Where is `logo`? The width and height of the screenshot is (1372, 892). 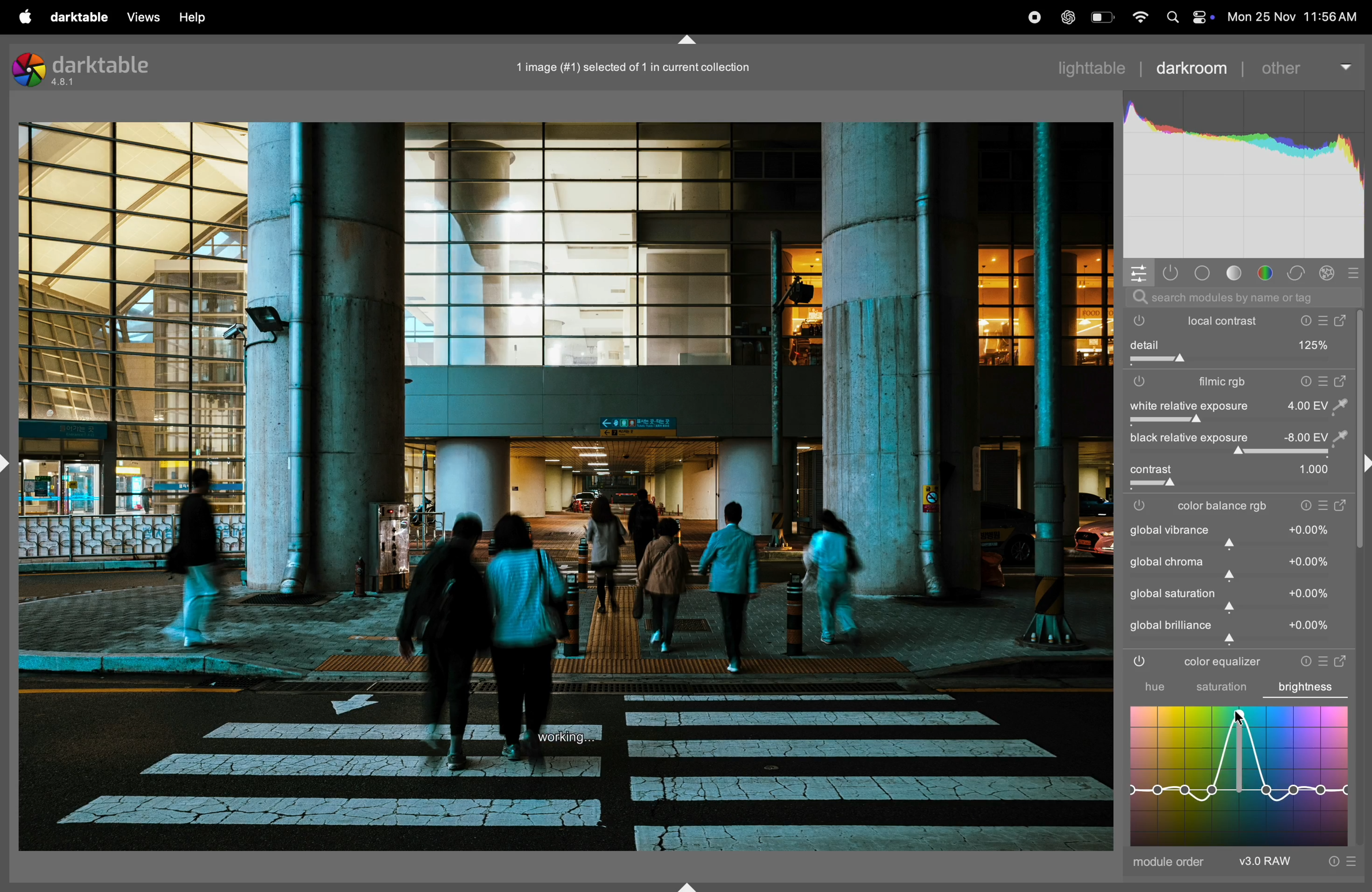
logo is located at coordinates (29, 71).